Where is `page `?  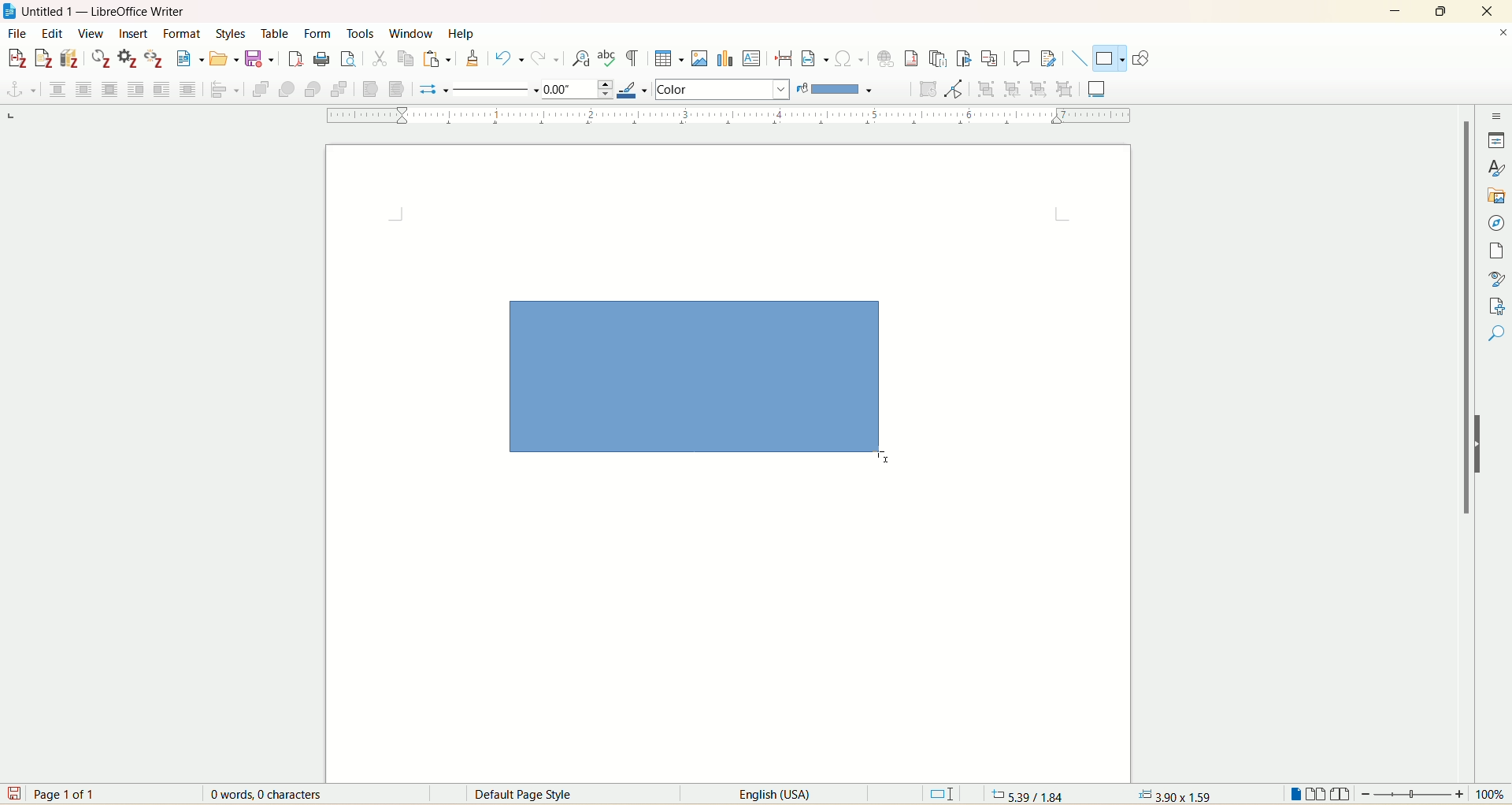 page  is located at coordinates (1499, 251).